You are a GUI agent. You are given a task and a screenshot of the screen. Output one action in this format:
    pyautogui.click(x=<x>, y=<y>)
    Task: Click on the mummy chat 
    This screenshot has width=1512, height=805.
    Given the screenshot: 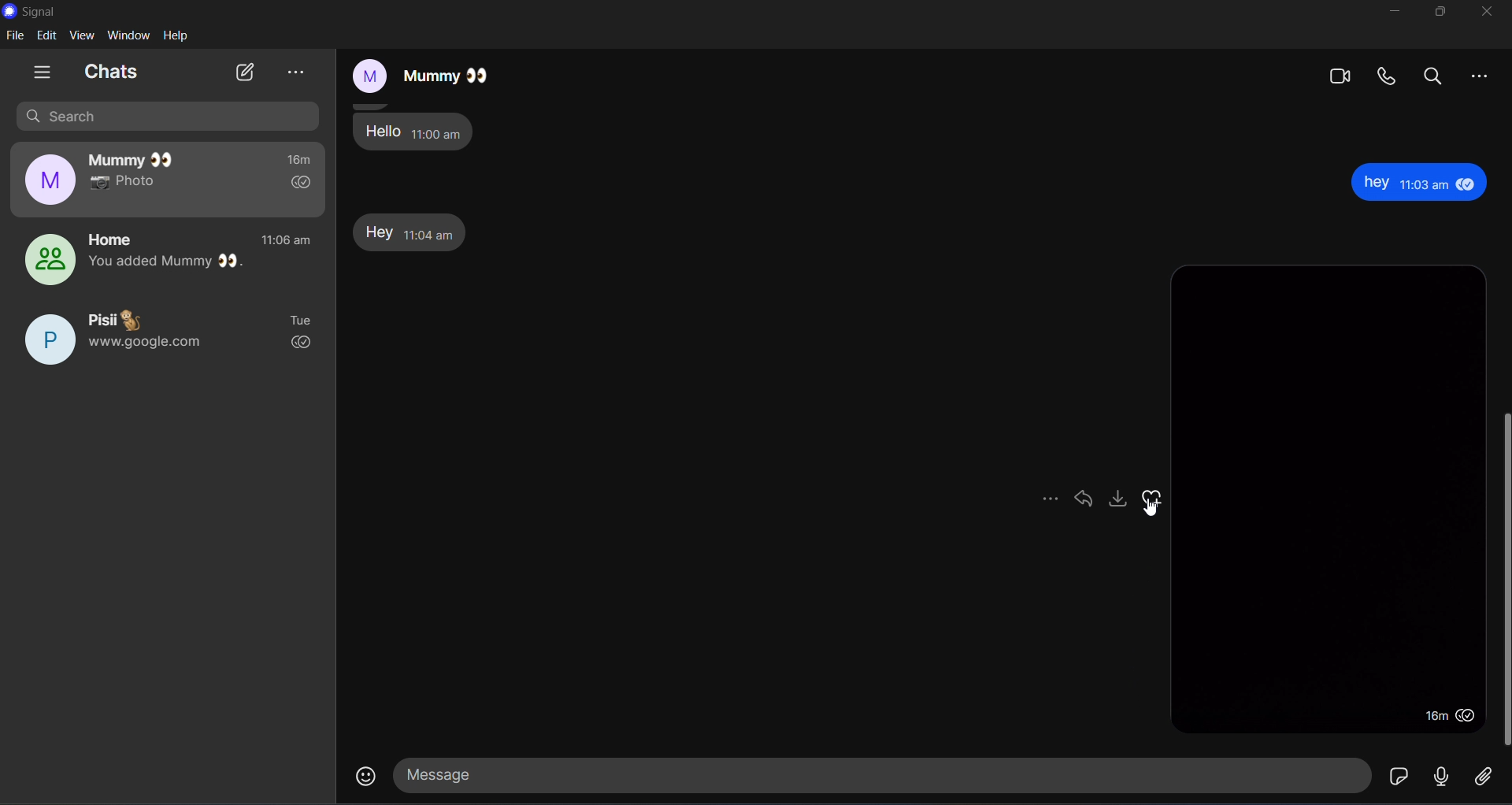 What is the action you would take?
    pyautogui.click(x=417, y=72)
    